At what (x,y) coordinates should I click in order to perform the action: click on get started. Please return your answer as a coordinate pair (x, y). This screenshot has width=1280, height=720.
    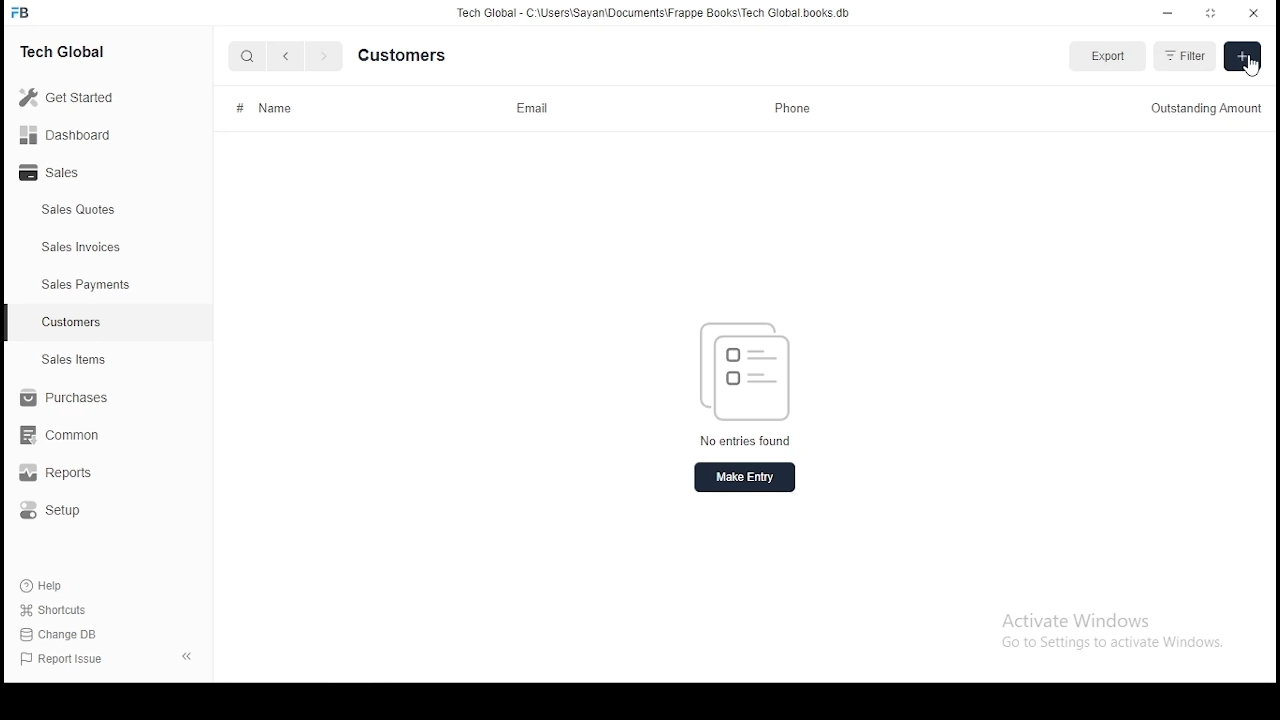
    Looking at the image, I should click on (69, 97).